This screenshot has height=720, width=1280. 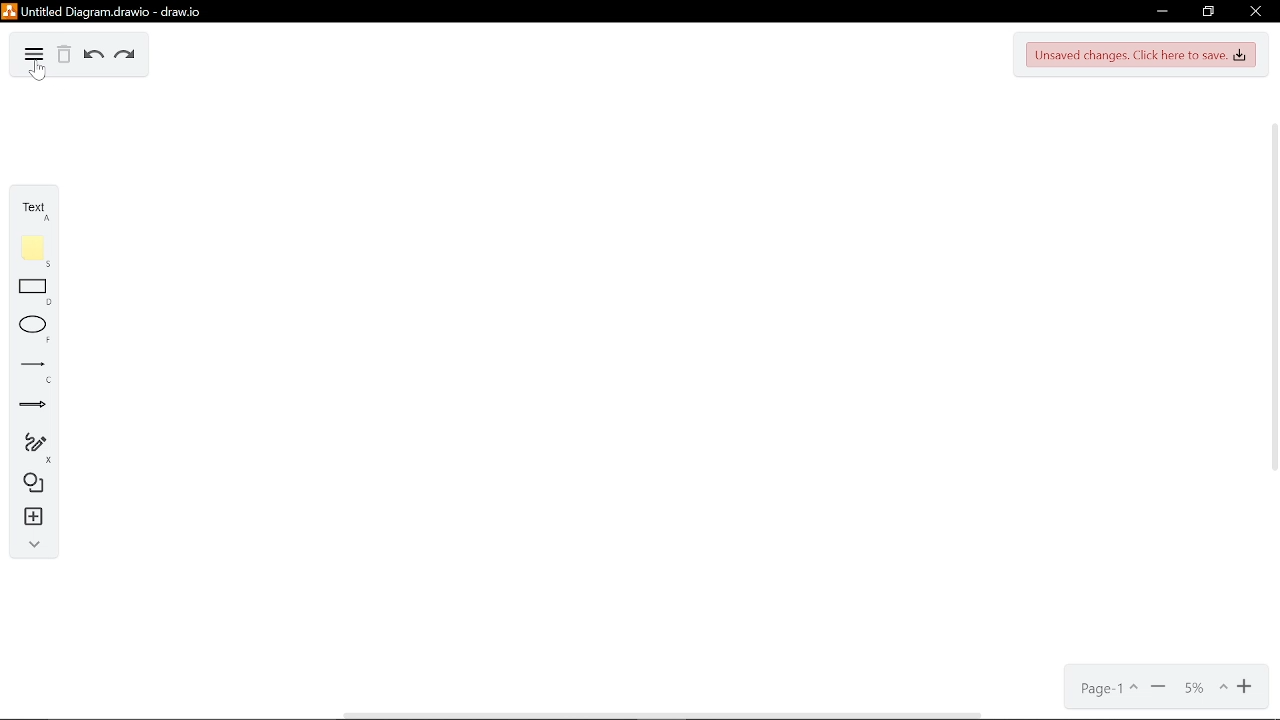 What do you see at coordinates (27, 546) in the screenshot?
I see `Collapse` at bounding box center [27, 546].